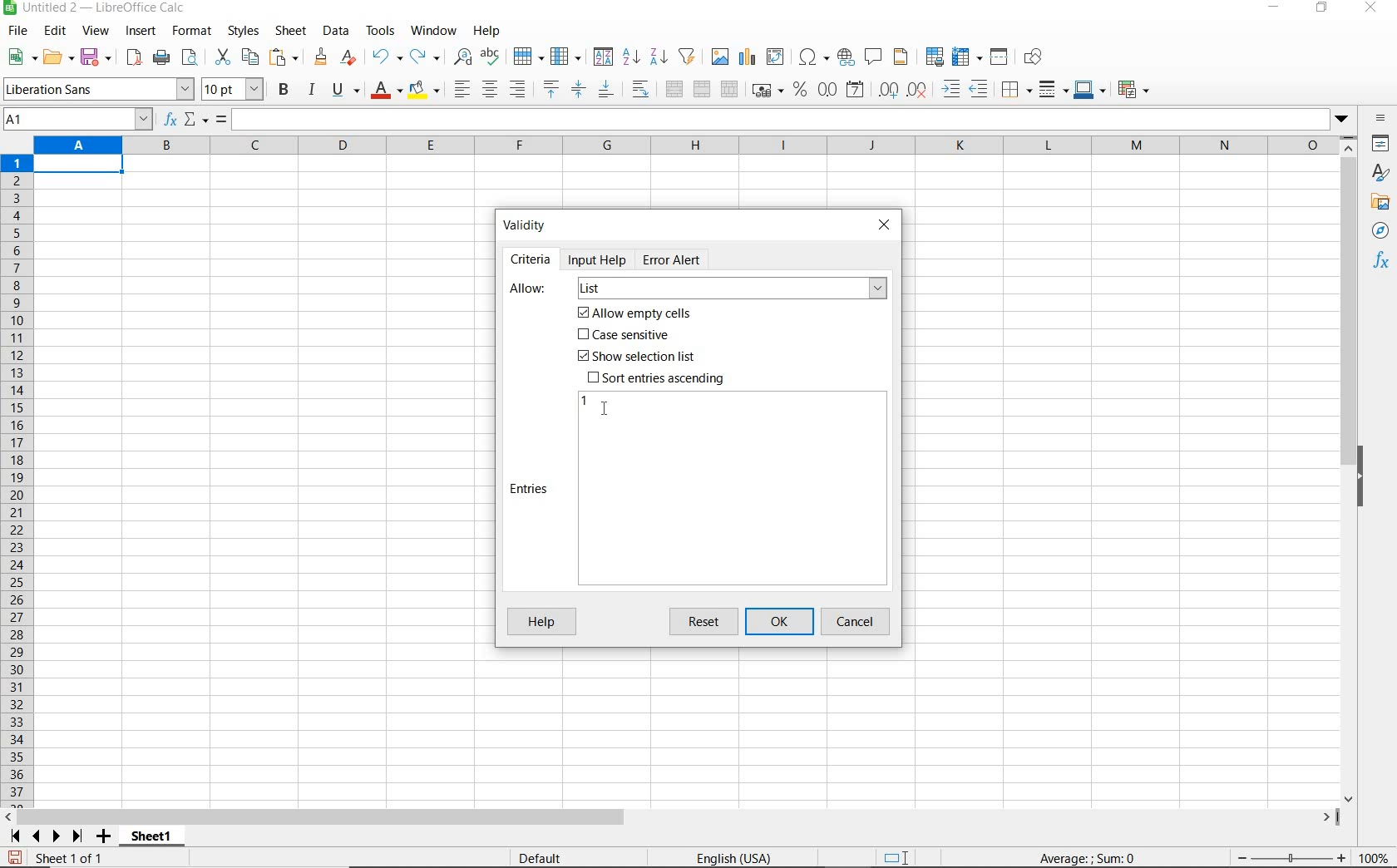 The width and height of the screenshot is (1397, 868). I want to click on insert chart, so click(748, 57).